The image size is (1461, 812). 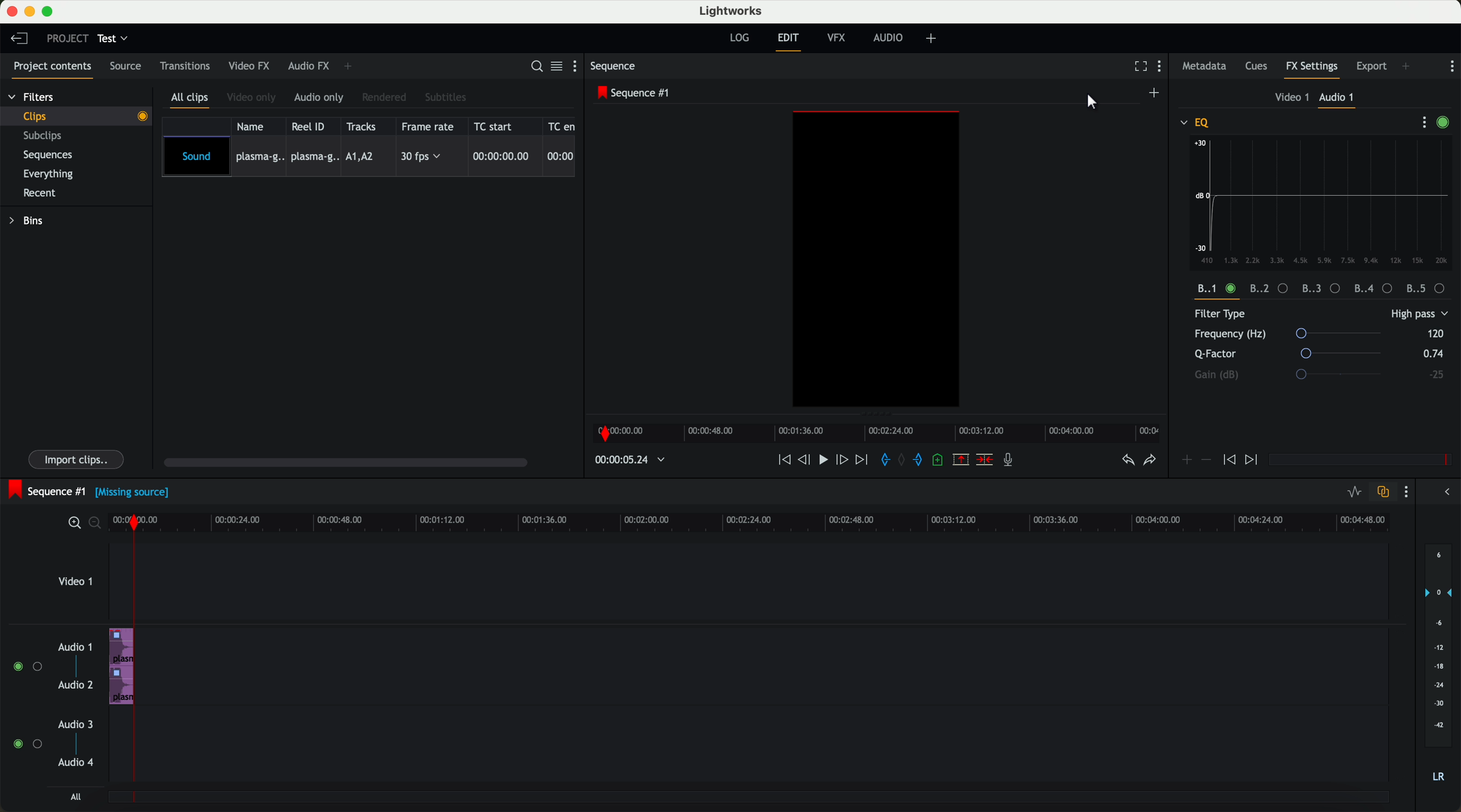 What do you see at coordinates (254, 98) in the screenshot?
I see `video only` at bounding box center [254, 98].